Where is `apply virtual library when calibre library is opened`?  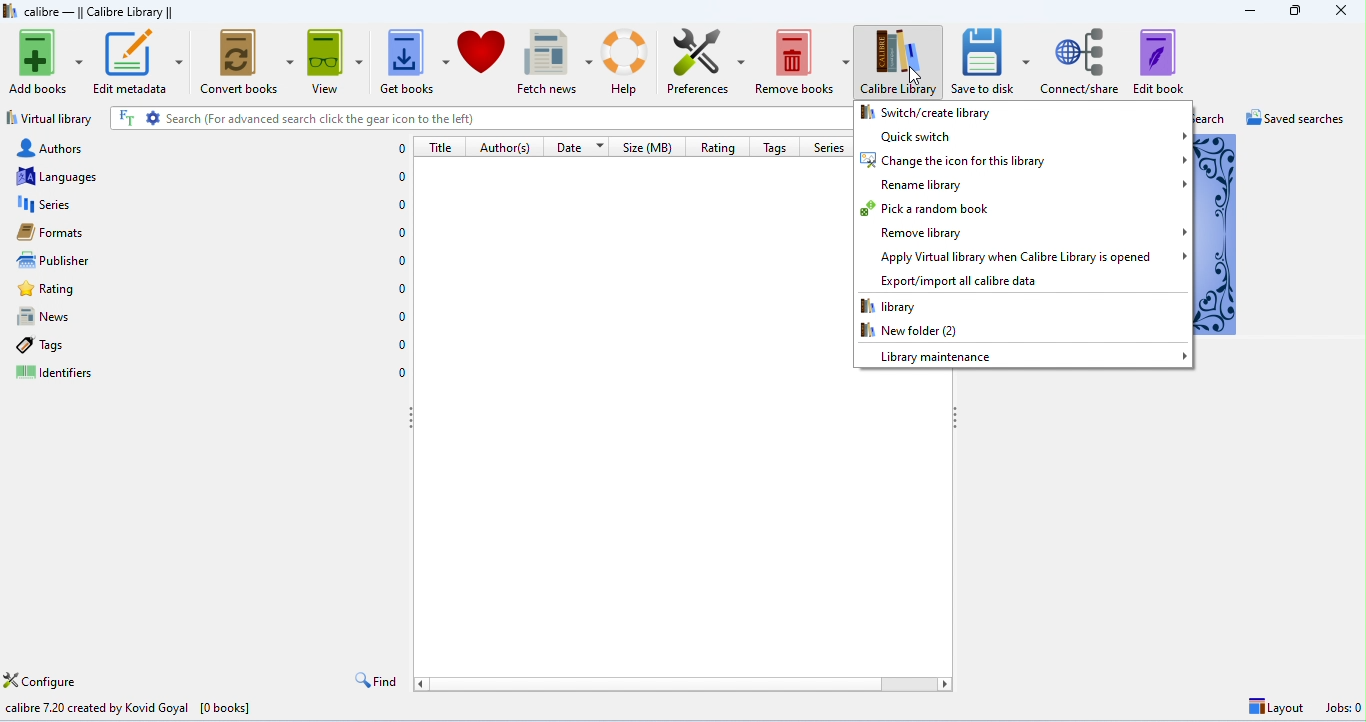 apply virtual library when calibre library is opened is located at coordinates (1024, 257).